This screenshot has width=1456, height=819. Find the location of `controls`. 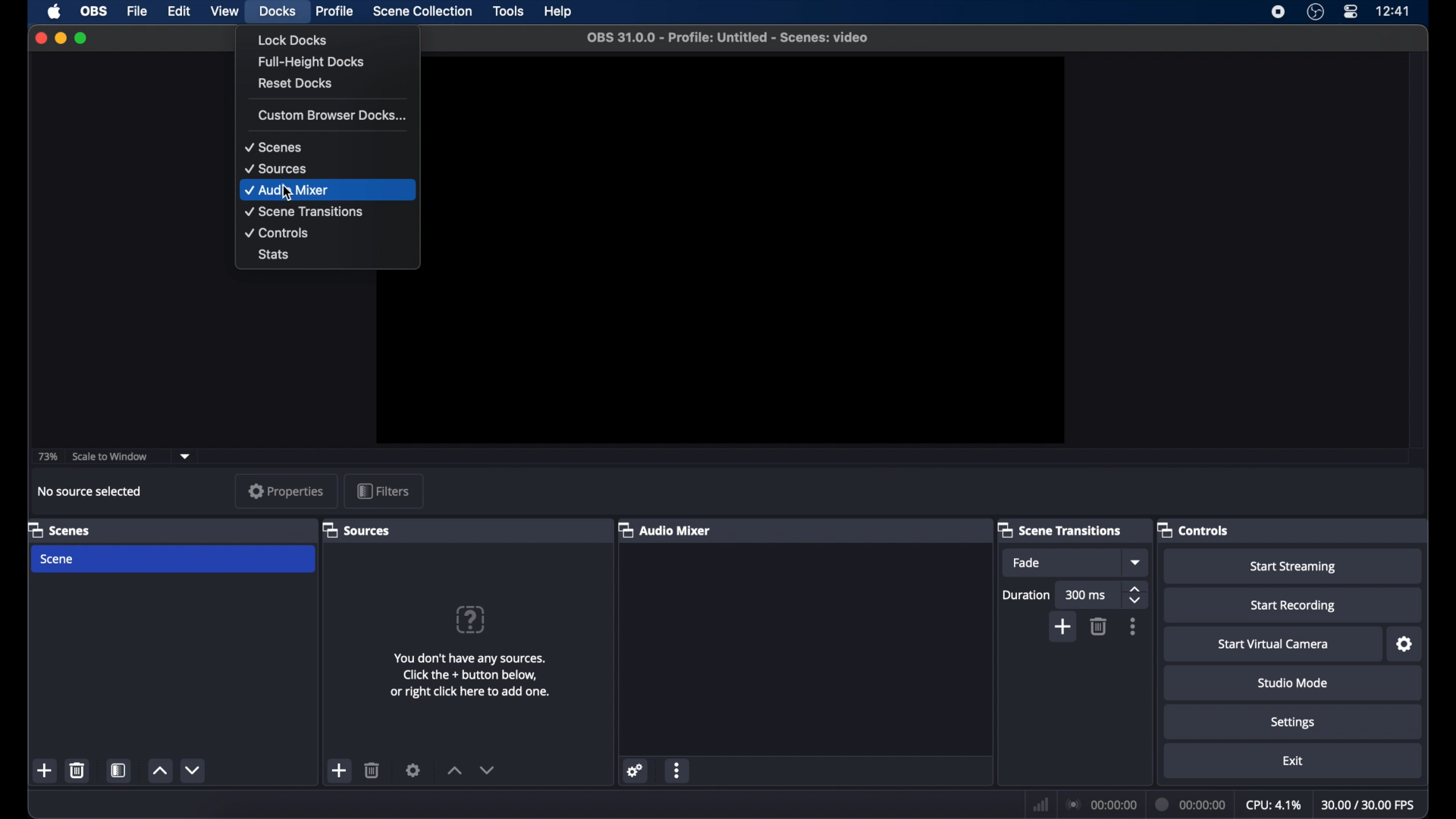

controls is located at coordinates (1195, 529).